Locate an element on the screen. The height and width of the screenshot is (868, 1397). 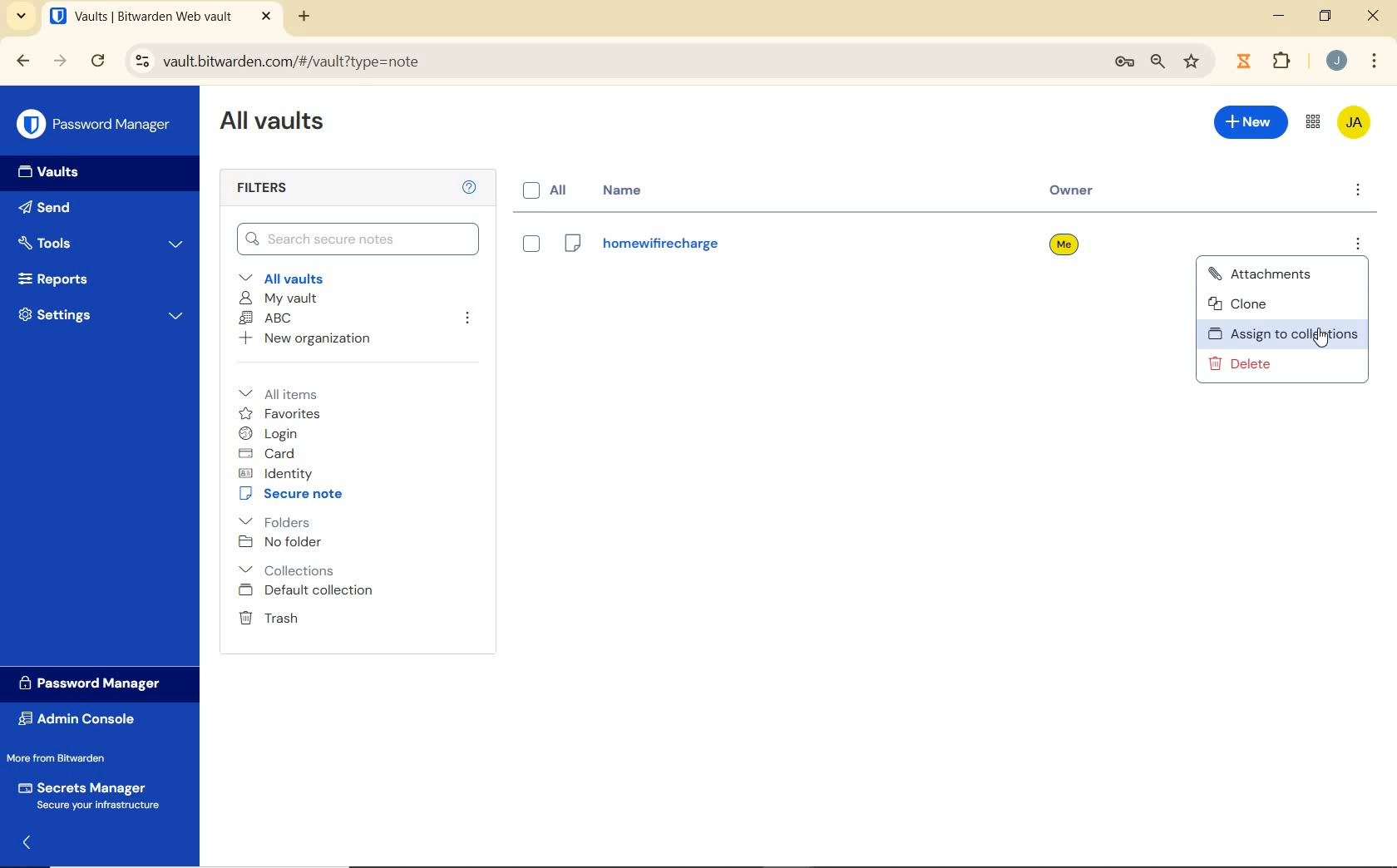
login is located at coordinates (271, 433).